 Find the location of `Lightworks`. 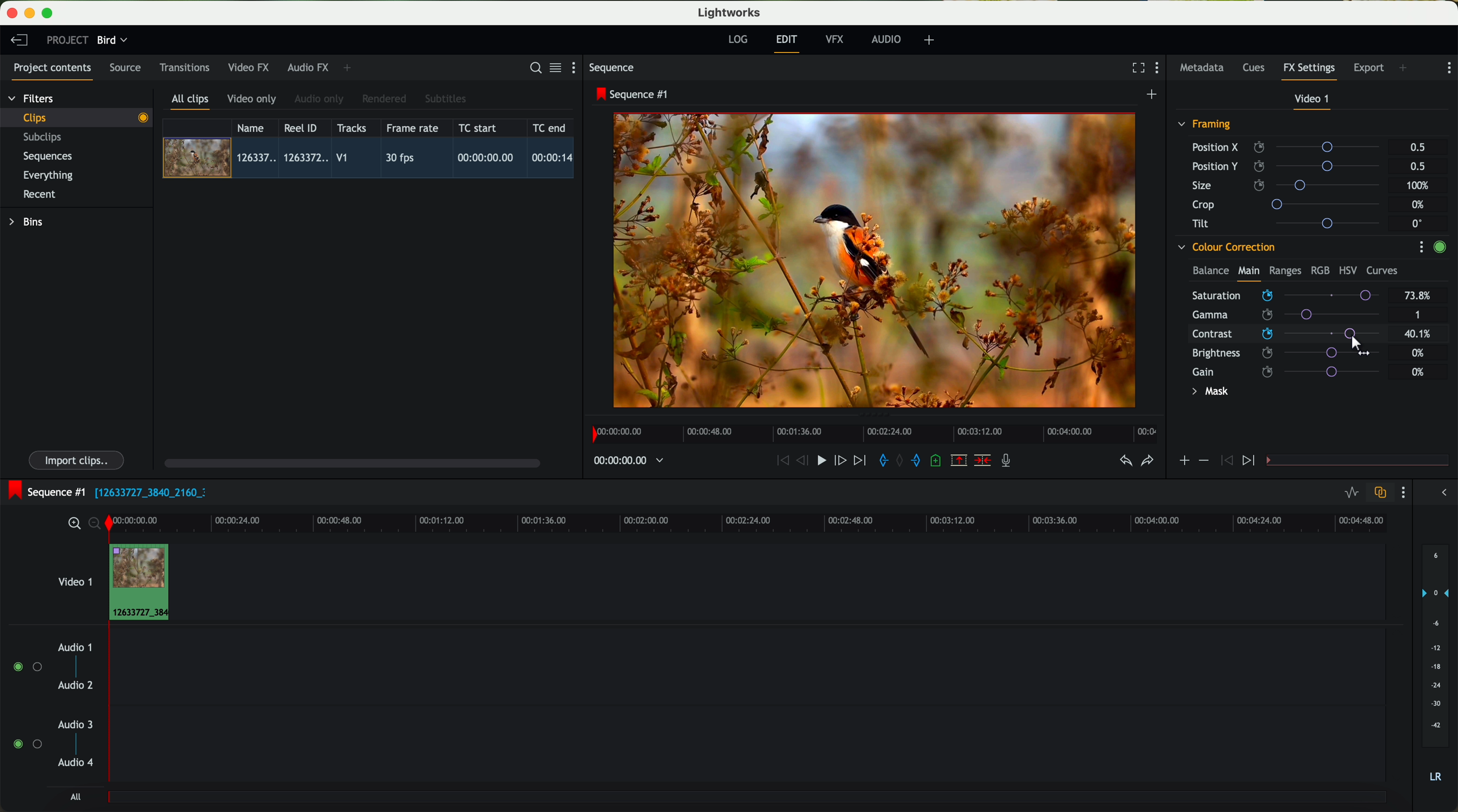

Lightworks is located at coordinates (730, 12).